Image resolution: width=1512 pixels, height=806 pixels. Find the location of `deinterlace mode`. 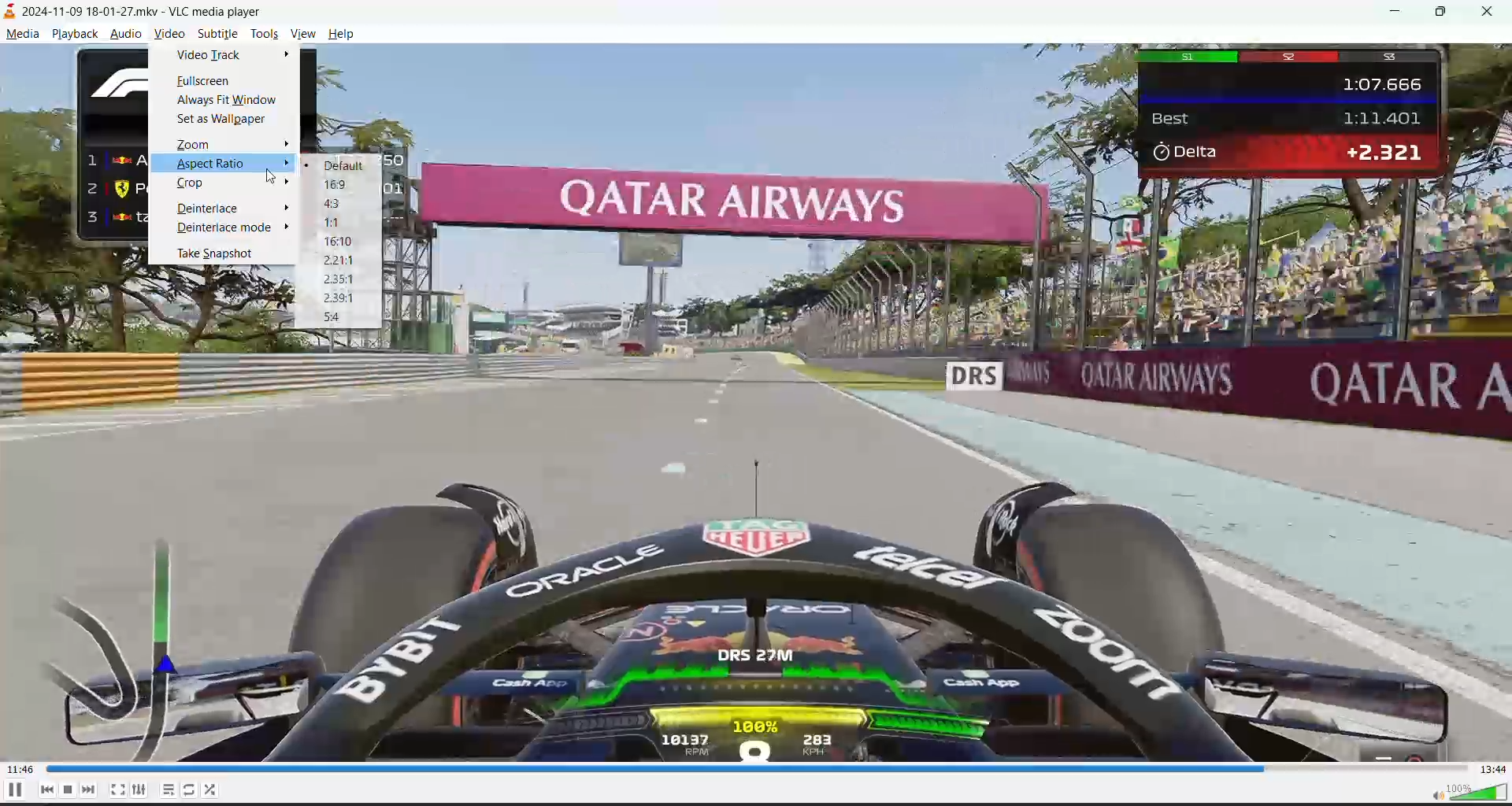

deinterlace mode is located at coordinates (226, 228).